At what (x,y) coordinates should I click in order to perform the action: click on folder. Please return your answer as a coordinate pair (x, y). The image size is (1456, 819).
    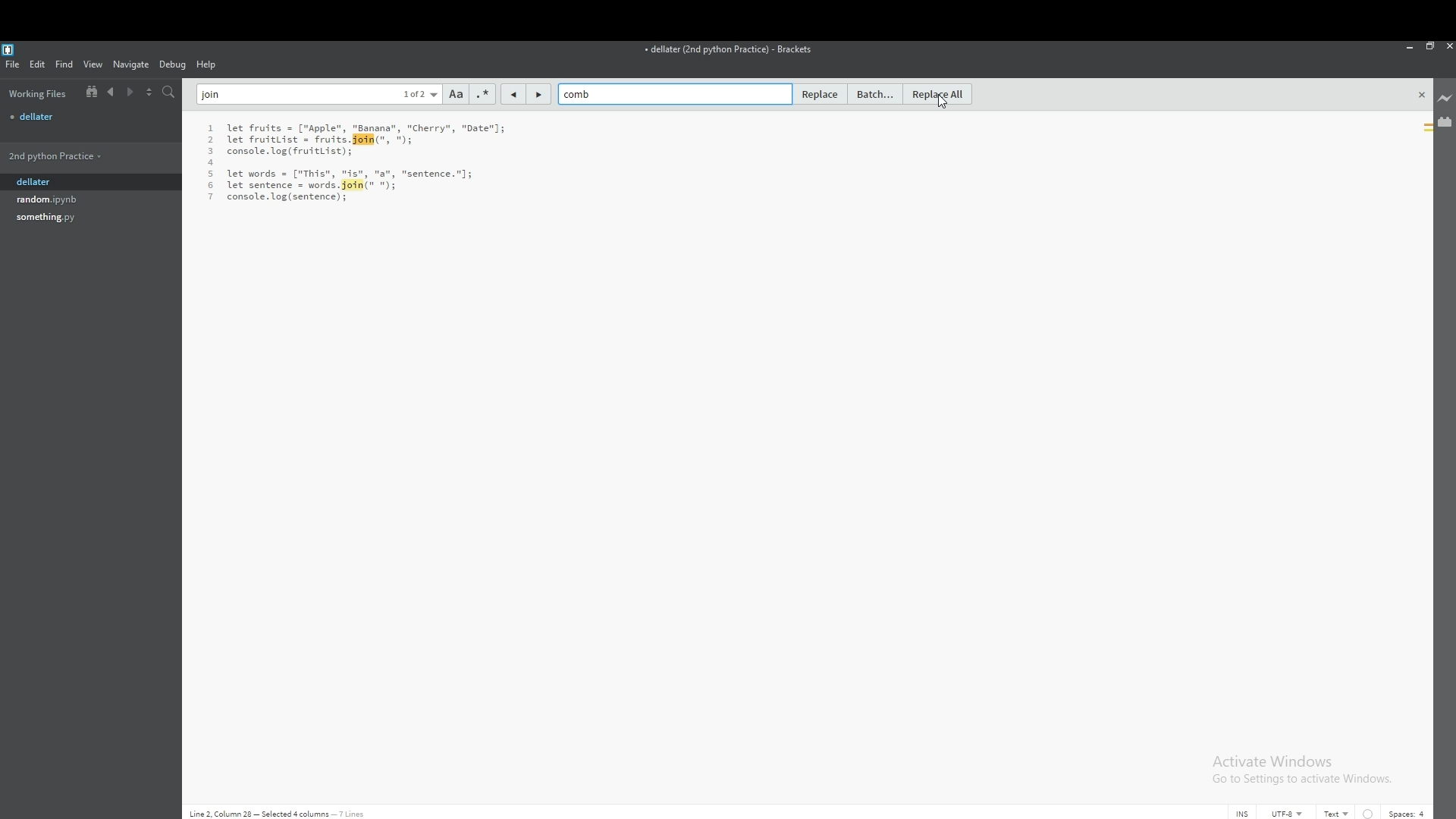
    Looking at the image, I should click on (69, 155).